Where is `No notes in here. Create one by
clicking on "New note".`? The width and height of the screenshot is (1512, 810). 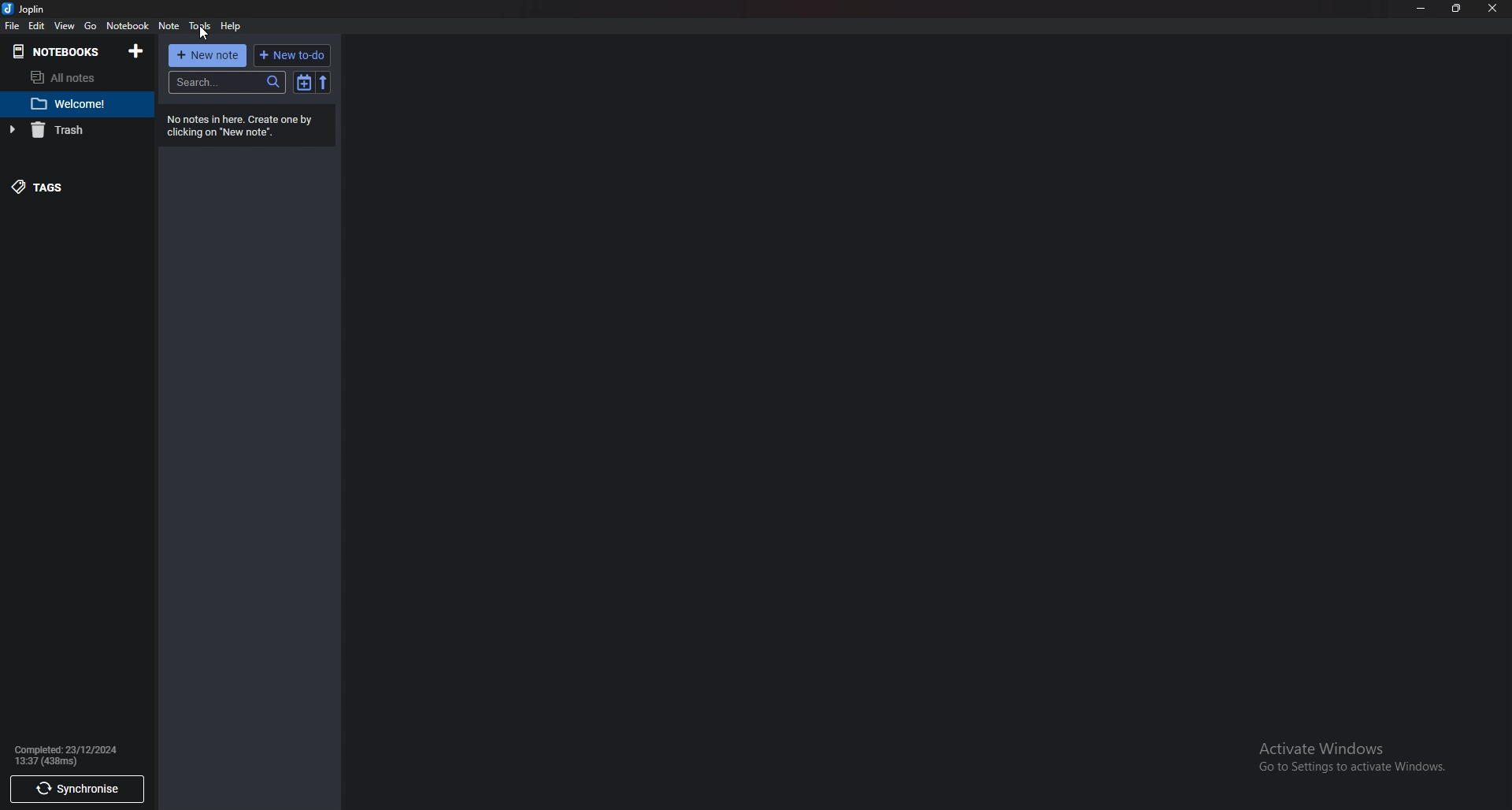
No notes in here. Create one by
clicking on "New note". is located at coordinates (243, 127).